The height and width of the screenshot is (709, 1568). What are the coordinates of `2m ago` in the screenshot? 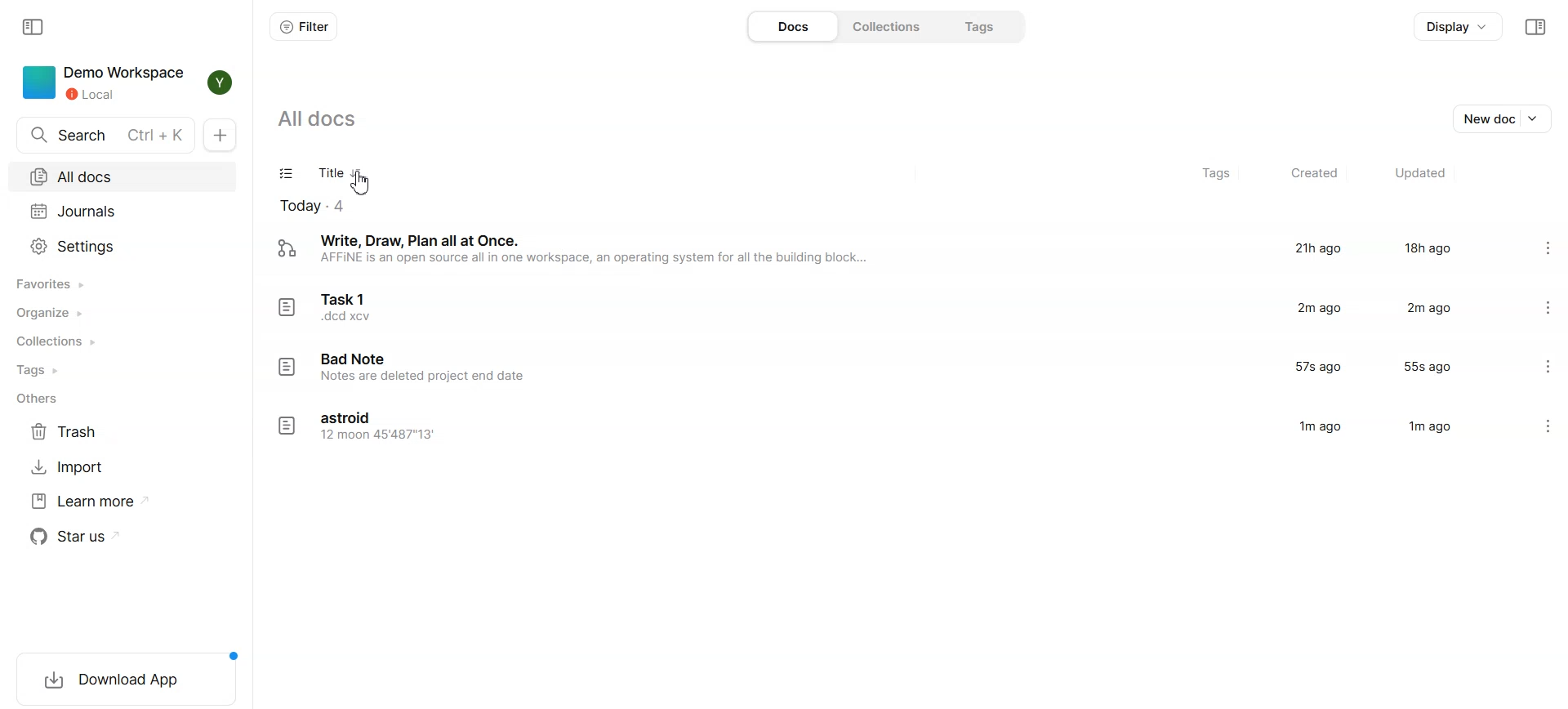 It's located at (1317, 310).